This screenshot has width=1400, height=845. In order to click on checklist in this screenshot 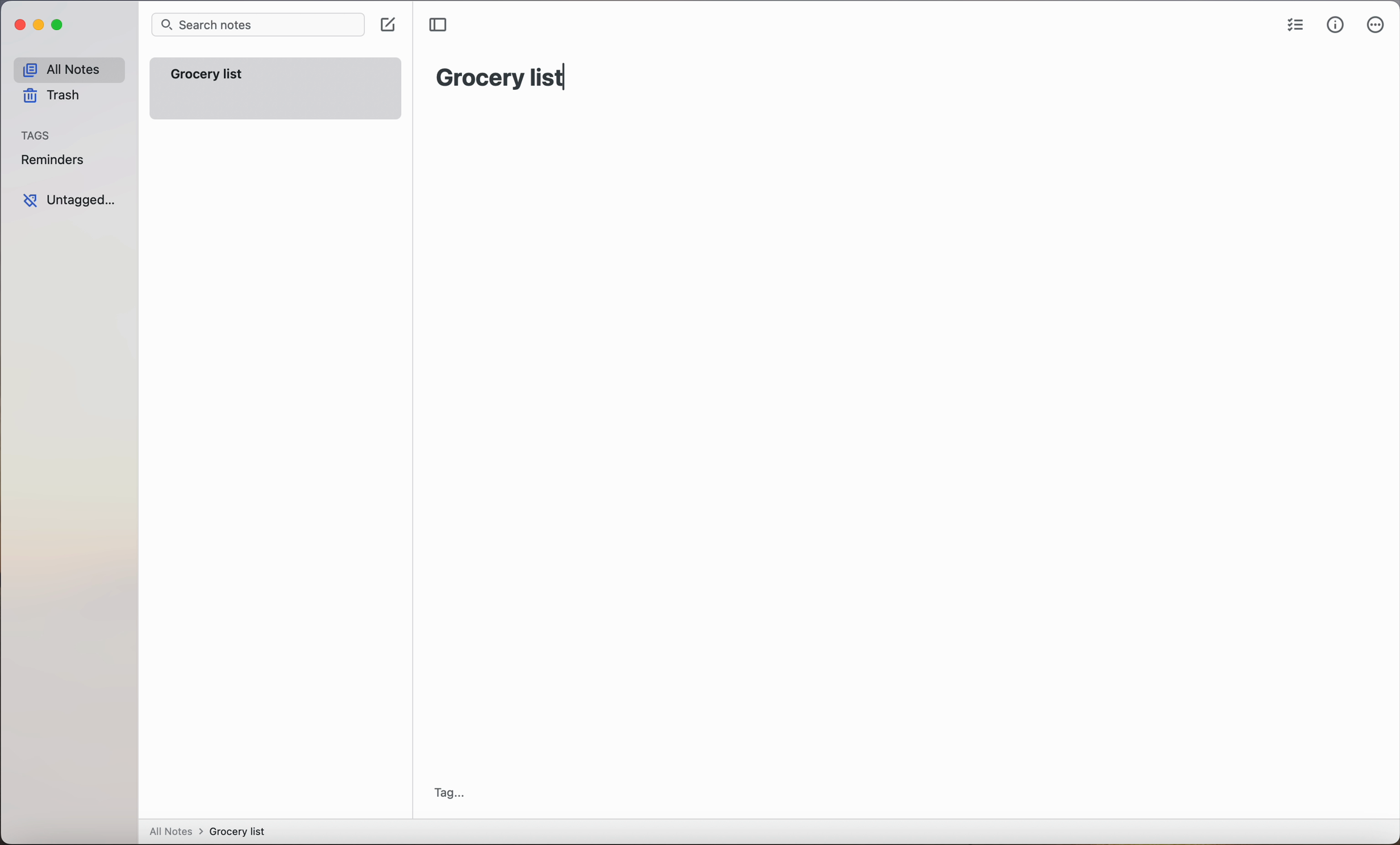, I will do `click(1296, 26)`.